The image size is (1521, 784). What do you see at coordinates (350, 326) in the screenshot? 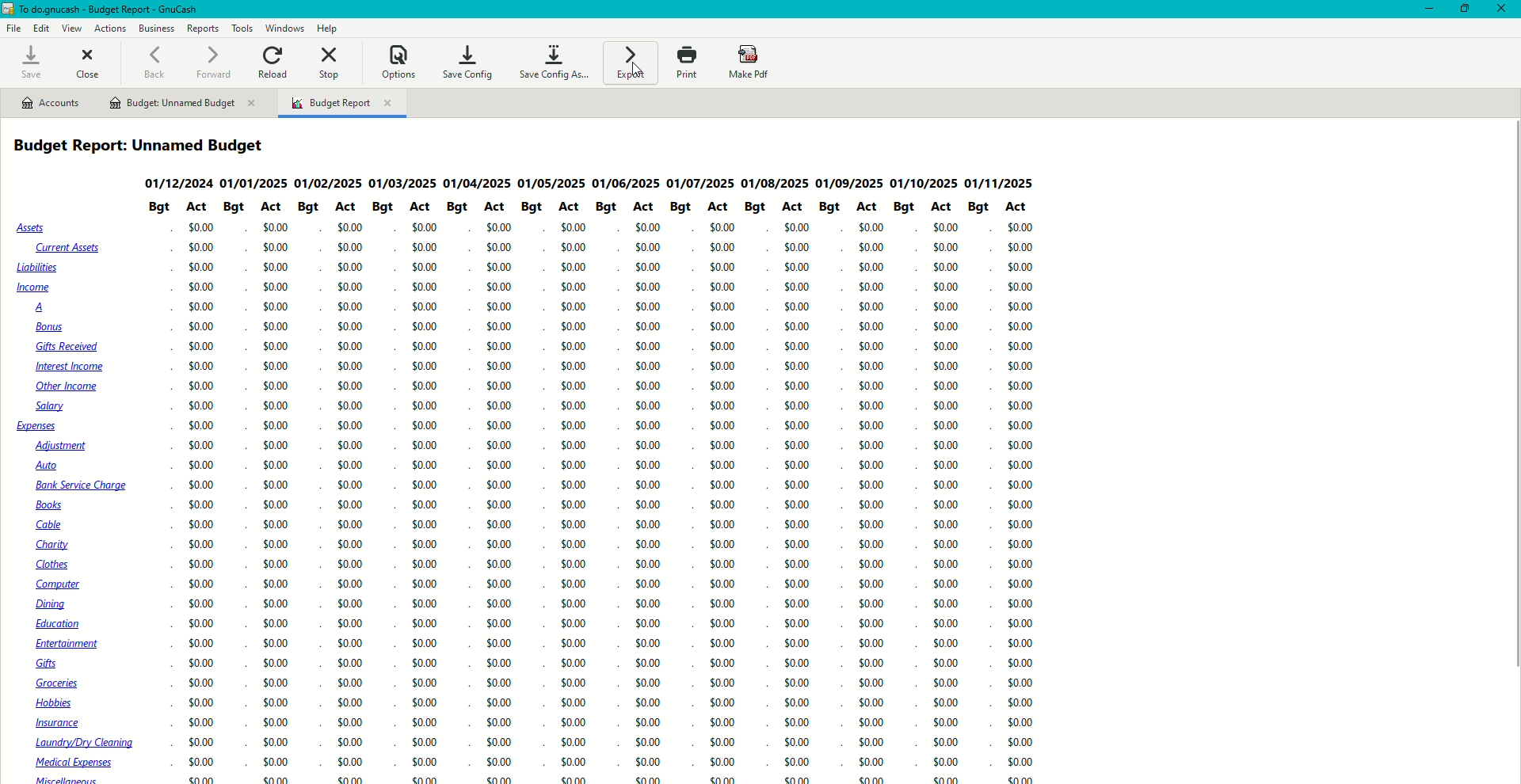
I see `$0.00` at bounding box center [350, 326].